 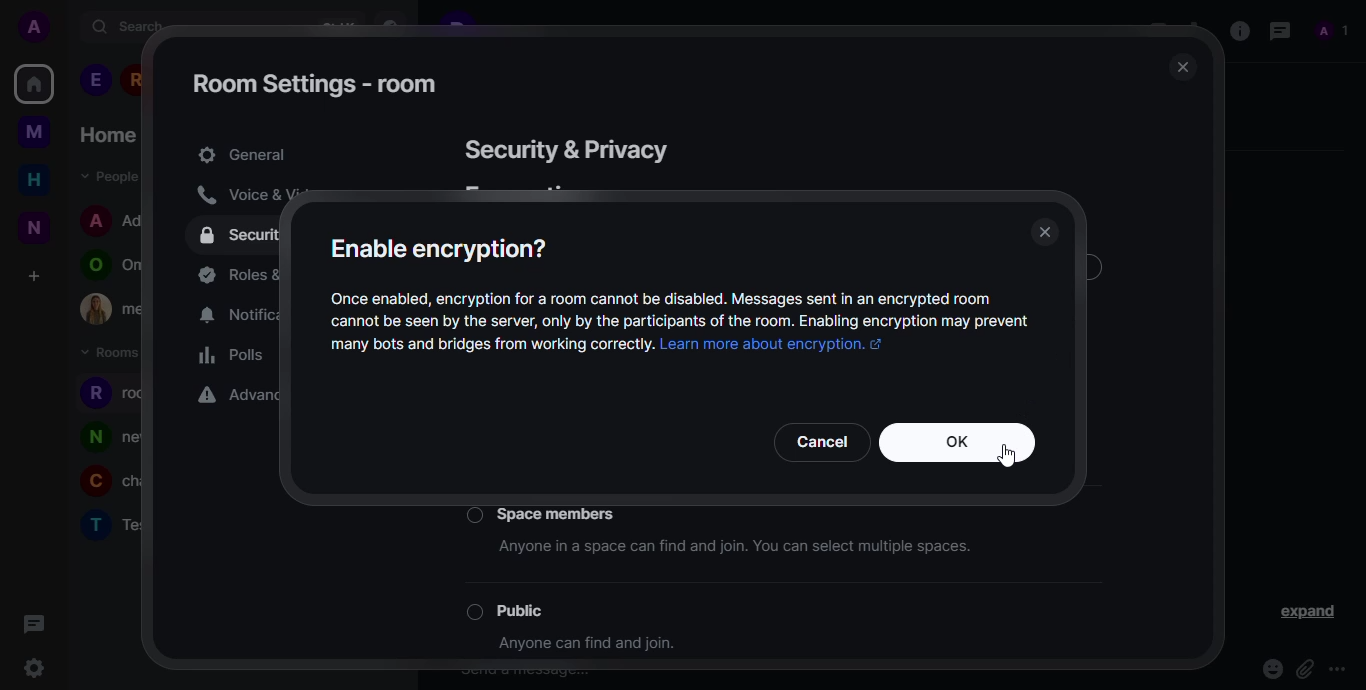 What do you see at coordinates (35, 276) in the screenshot?
I see `create a space` at bounding box center [35, 276].